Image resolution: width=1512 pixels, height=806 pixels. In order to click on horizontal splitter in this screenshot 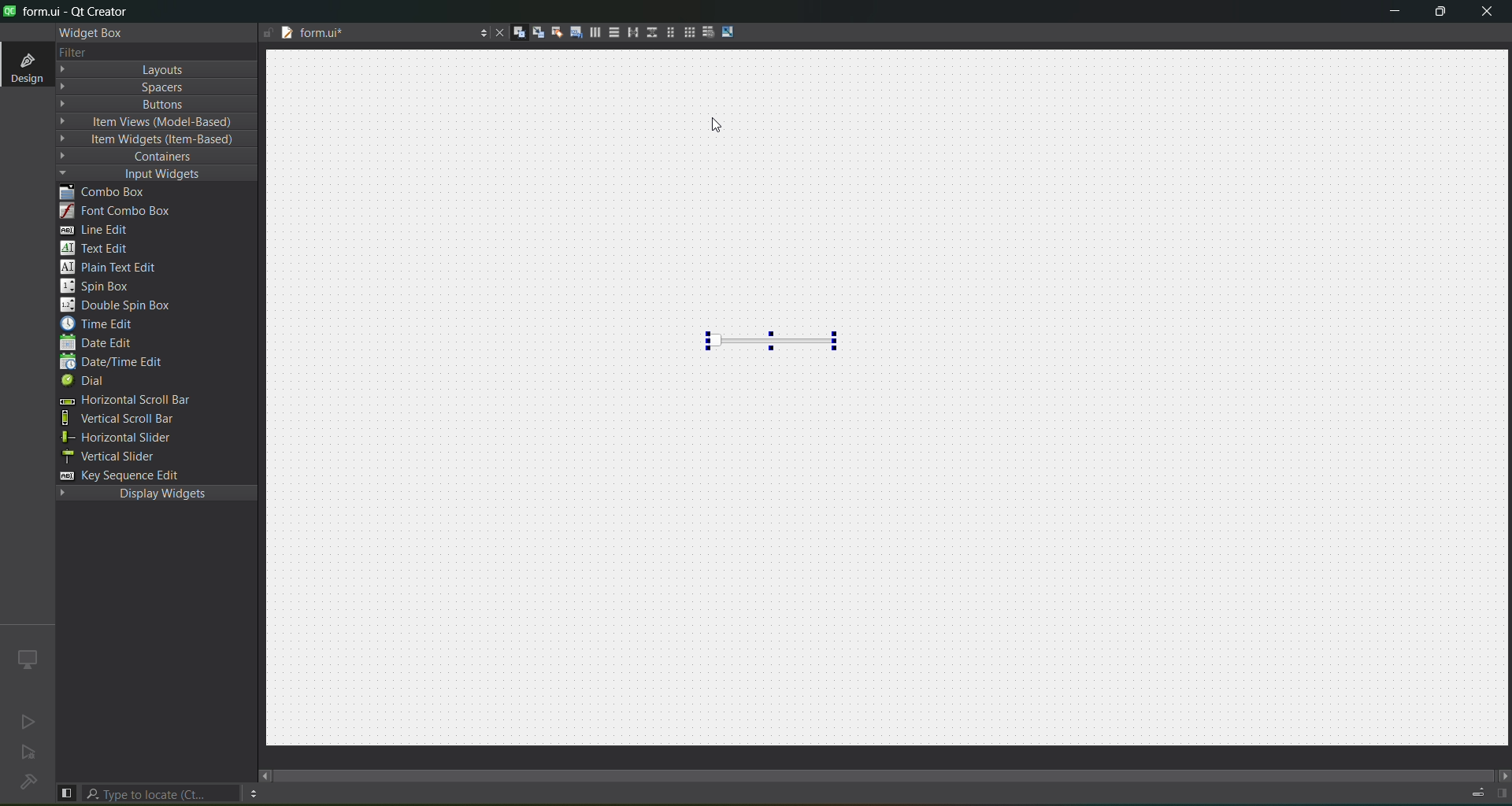, I will do `click(632, 33)`.